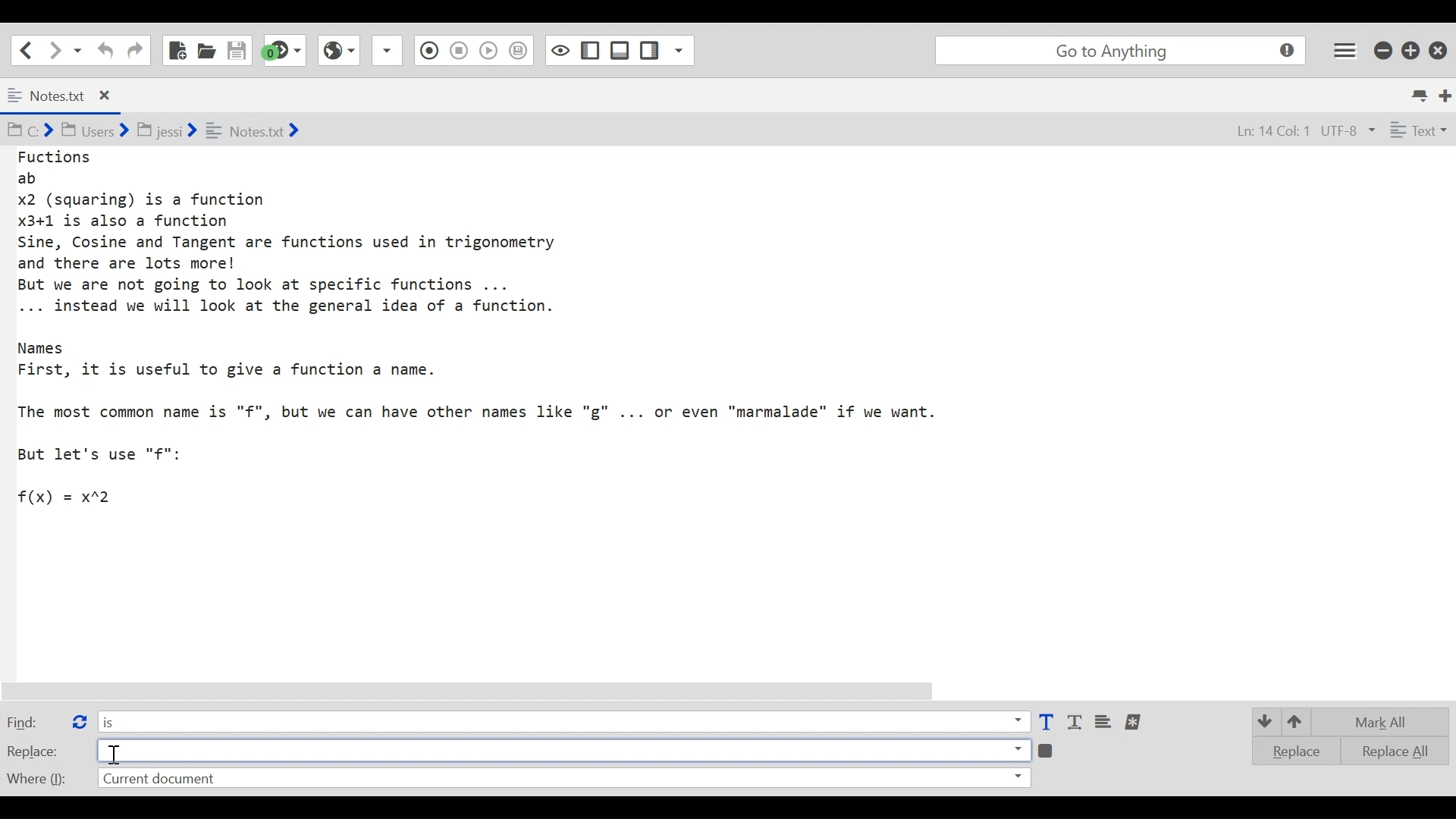 Image resolution: width=1456 pixels, height=819 pixels. What do you see at coordinates (563, 720) in the screenshot?
I see `is` at bounding box center [563, 720].